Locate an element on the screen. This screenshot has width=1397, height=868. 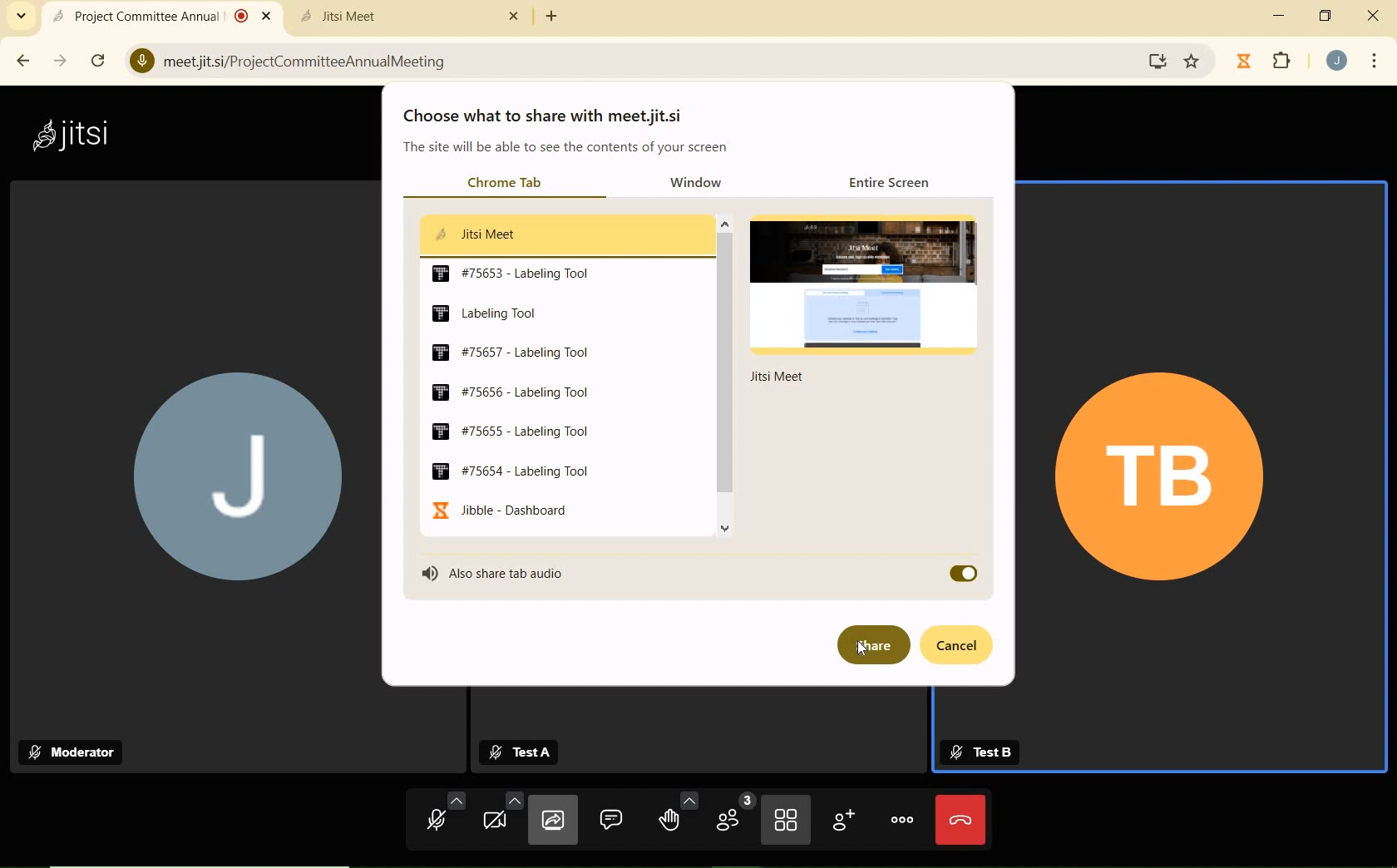
Test A is located at coordinates (525, 751).